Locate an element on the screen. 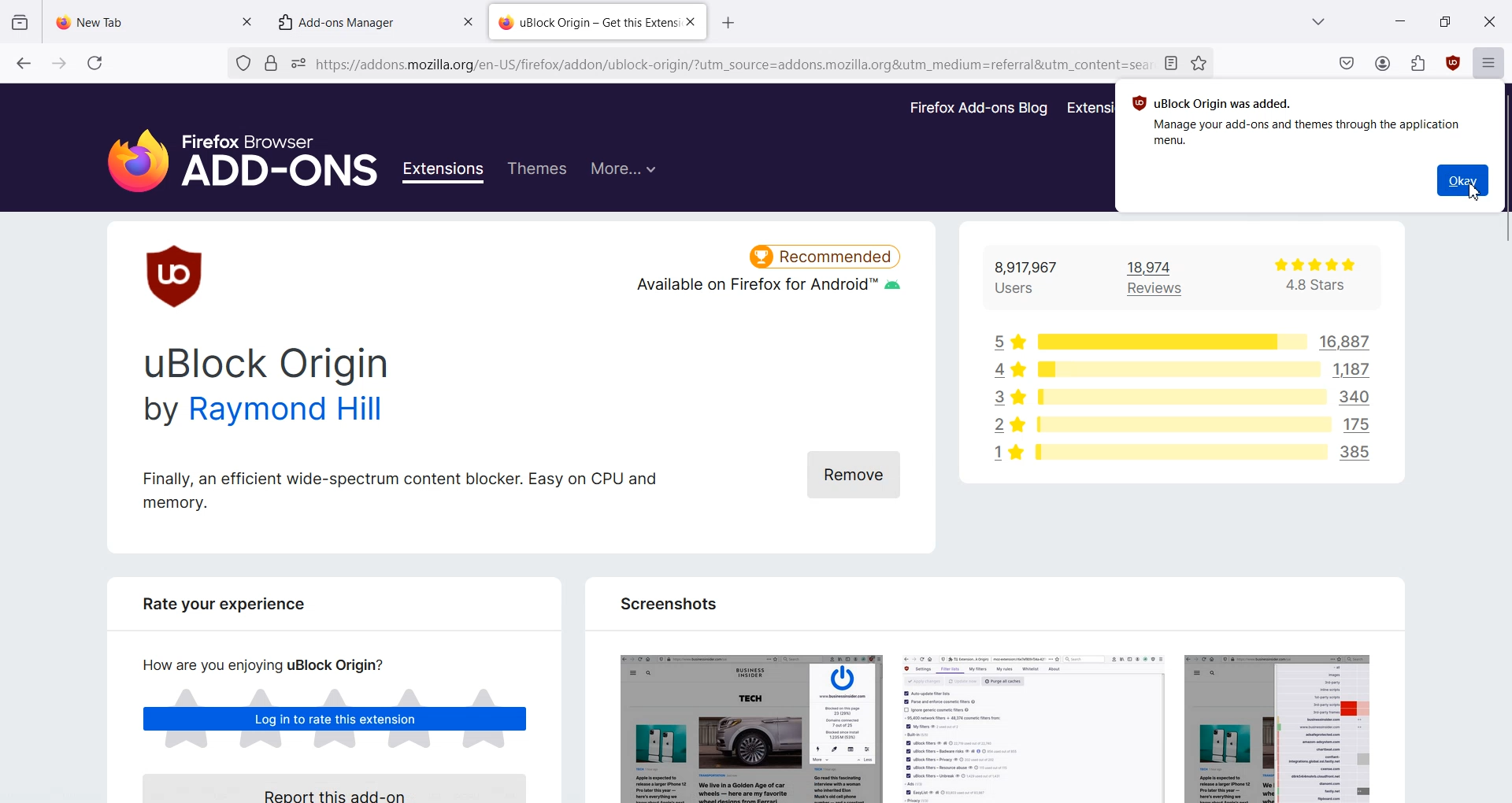  Remove is located at coordinates (853, 474).